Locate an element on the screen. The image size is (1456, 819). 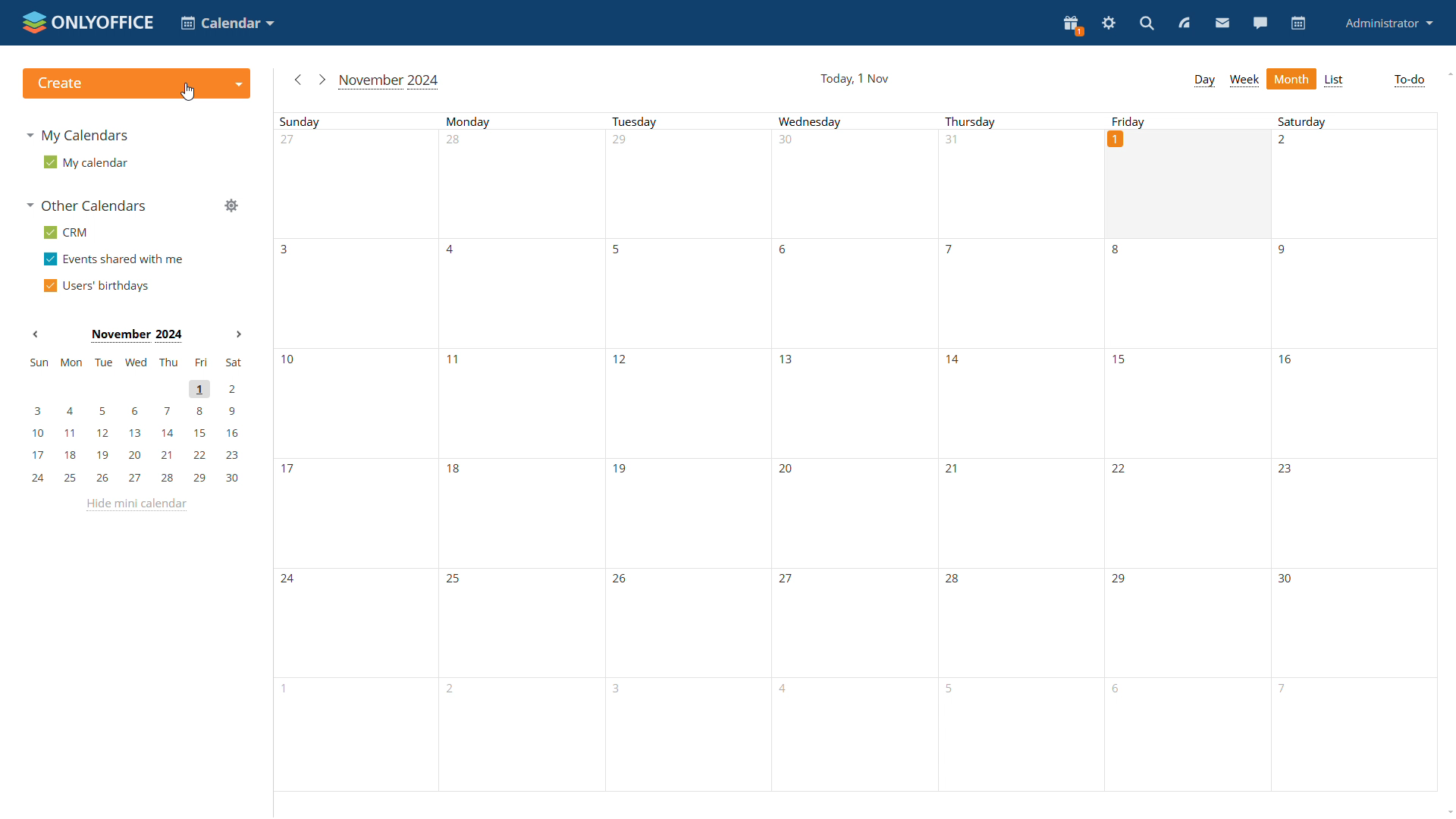
Upcoming Fridays is located at coordinates (1187, 515).